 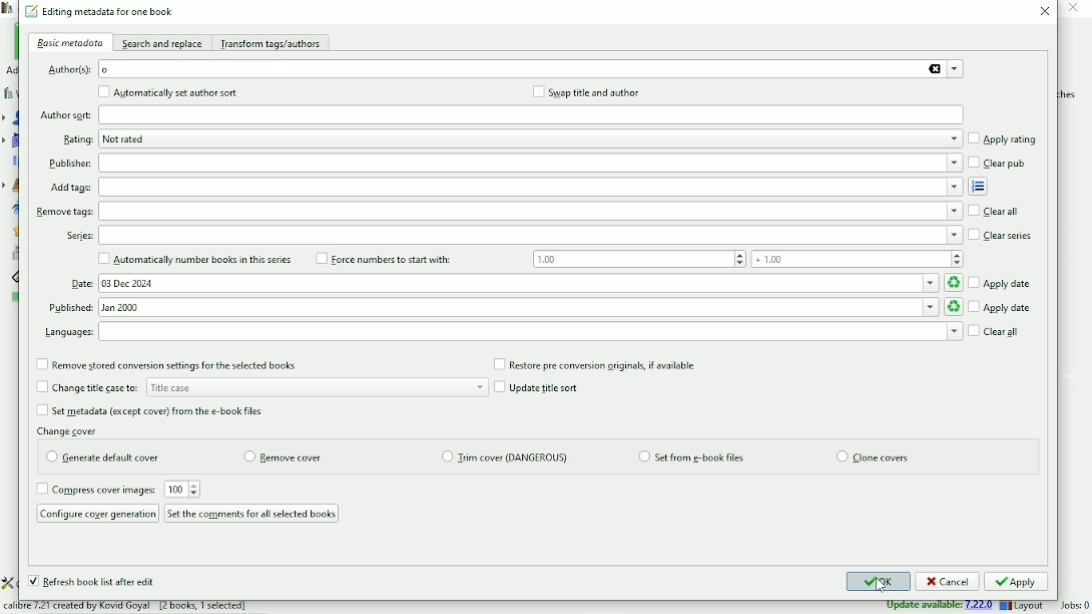 I want to click on trim cover checkbox, so click(x=505, y=457).